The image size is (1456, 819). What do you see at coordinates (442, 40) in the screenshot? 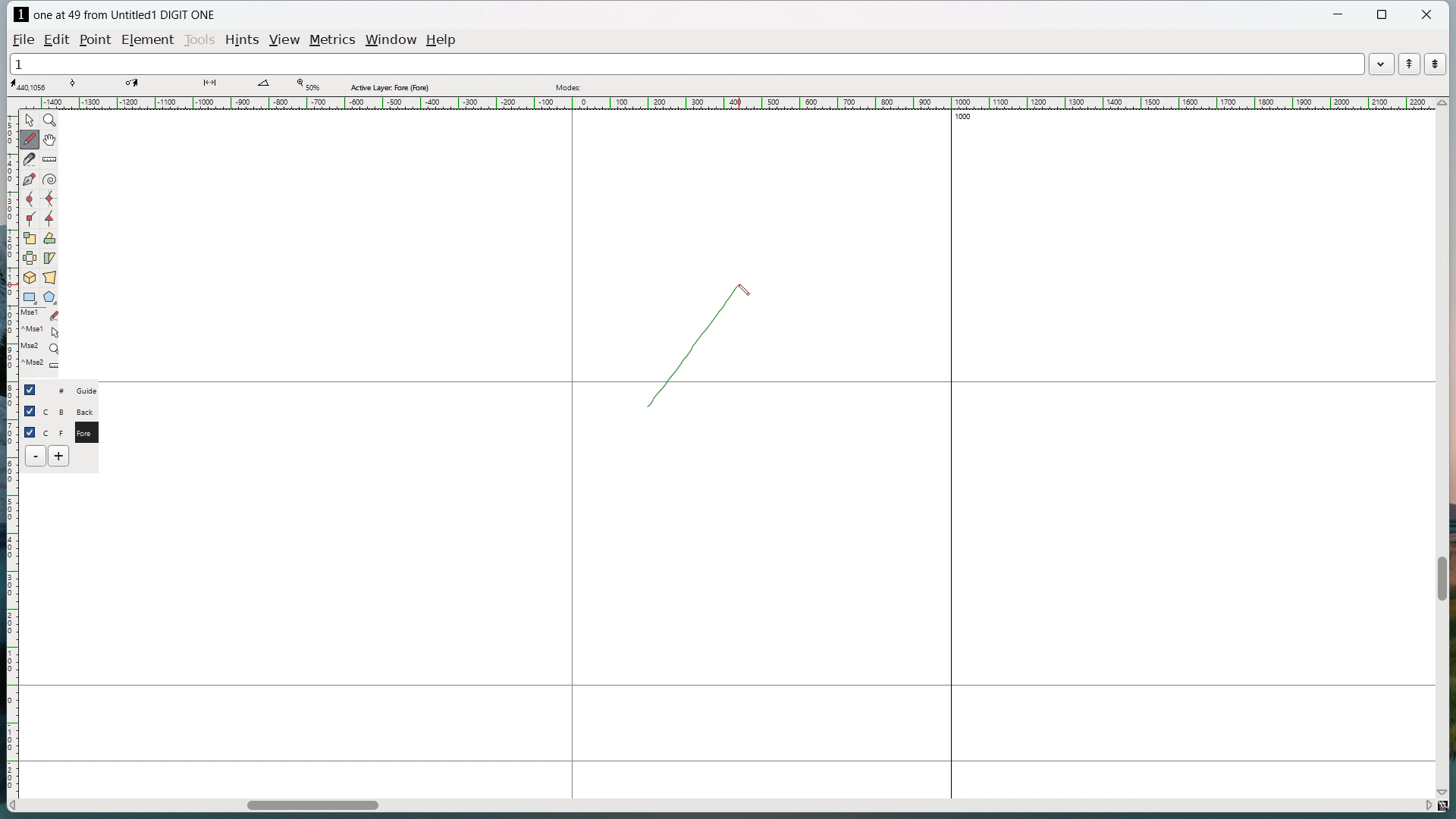
I see `help` at bounding box center [442, 40].